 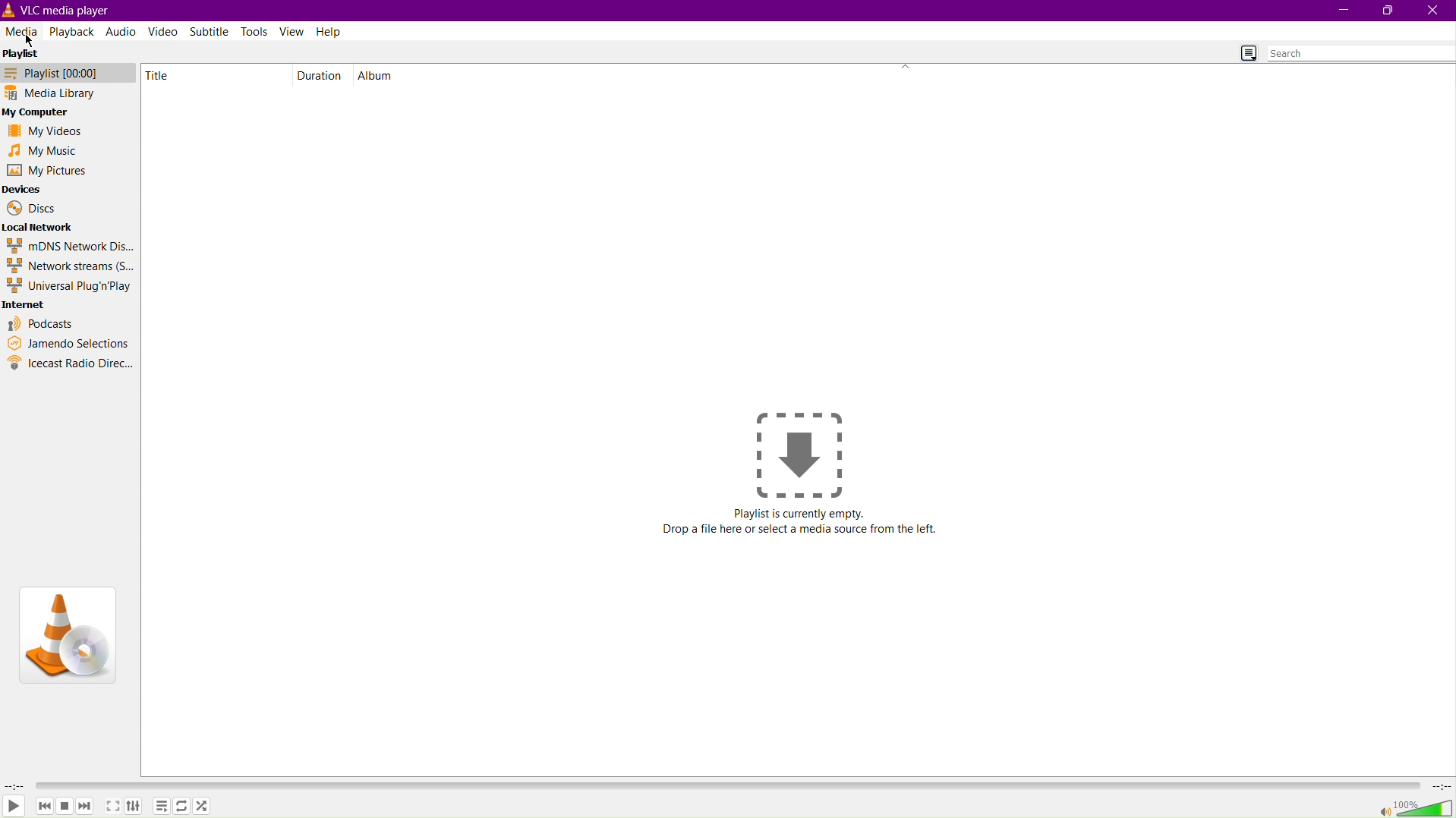 What do you see at coordinates (292, 32) in the screenshot?
I see `View` at bounding box center [292, 32].